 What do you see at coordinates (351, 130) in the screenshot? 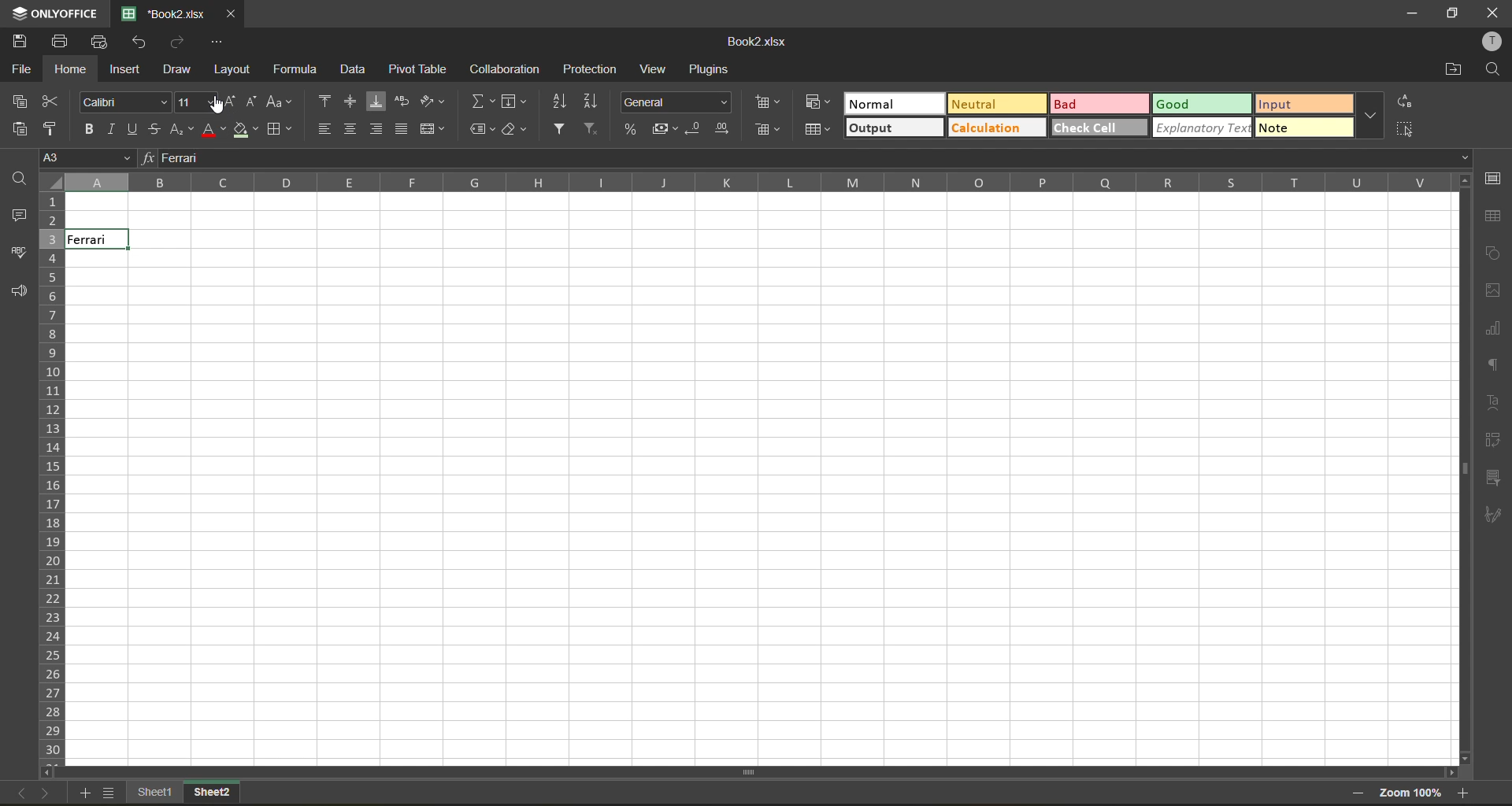
I see `align center` at bounding box center [351, 130].